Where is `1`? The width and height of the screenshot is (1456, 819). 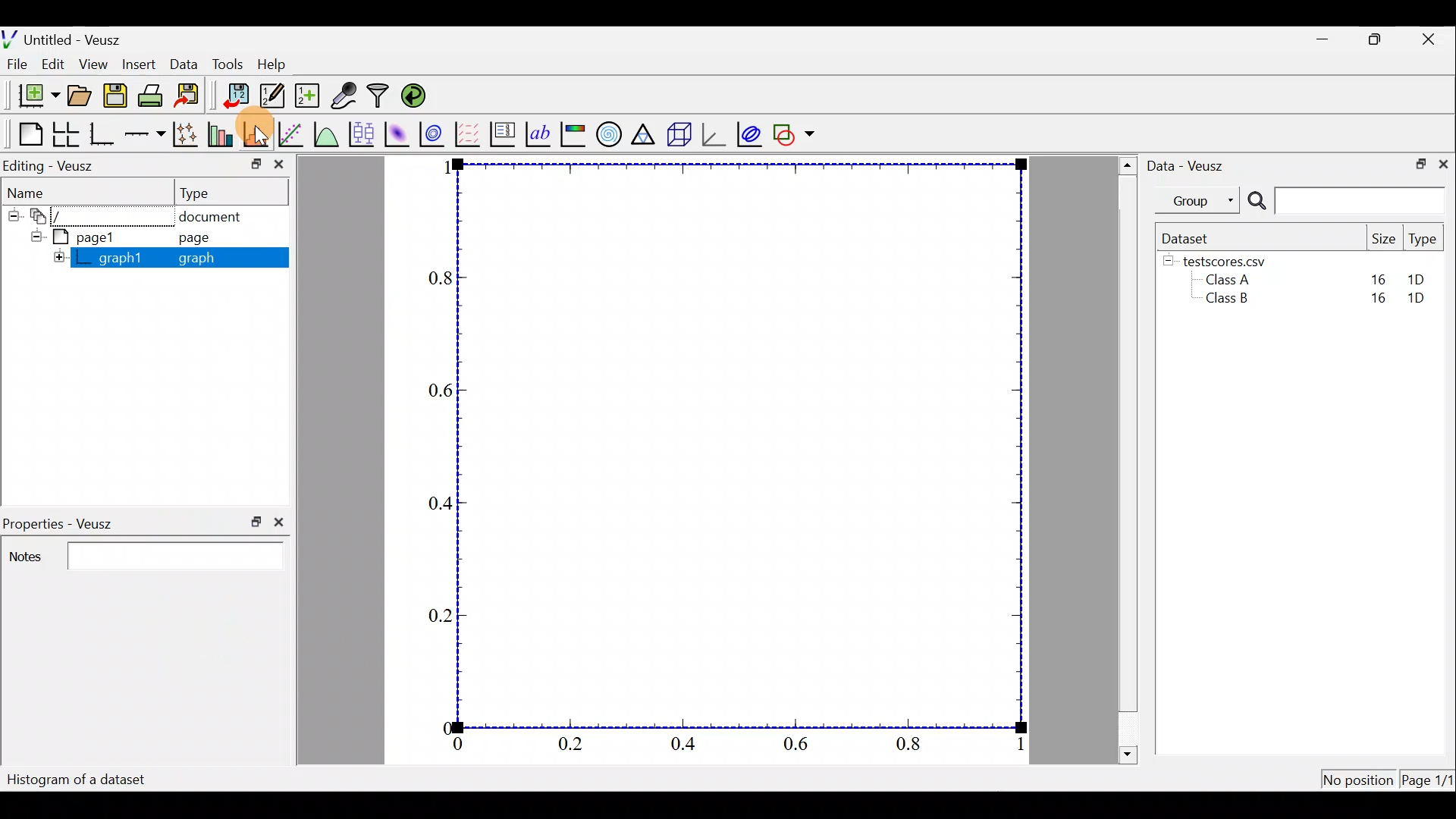
1 is located at coordinates (441, 170).